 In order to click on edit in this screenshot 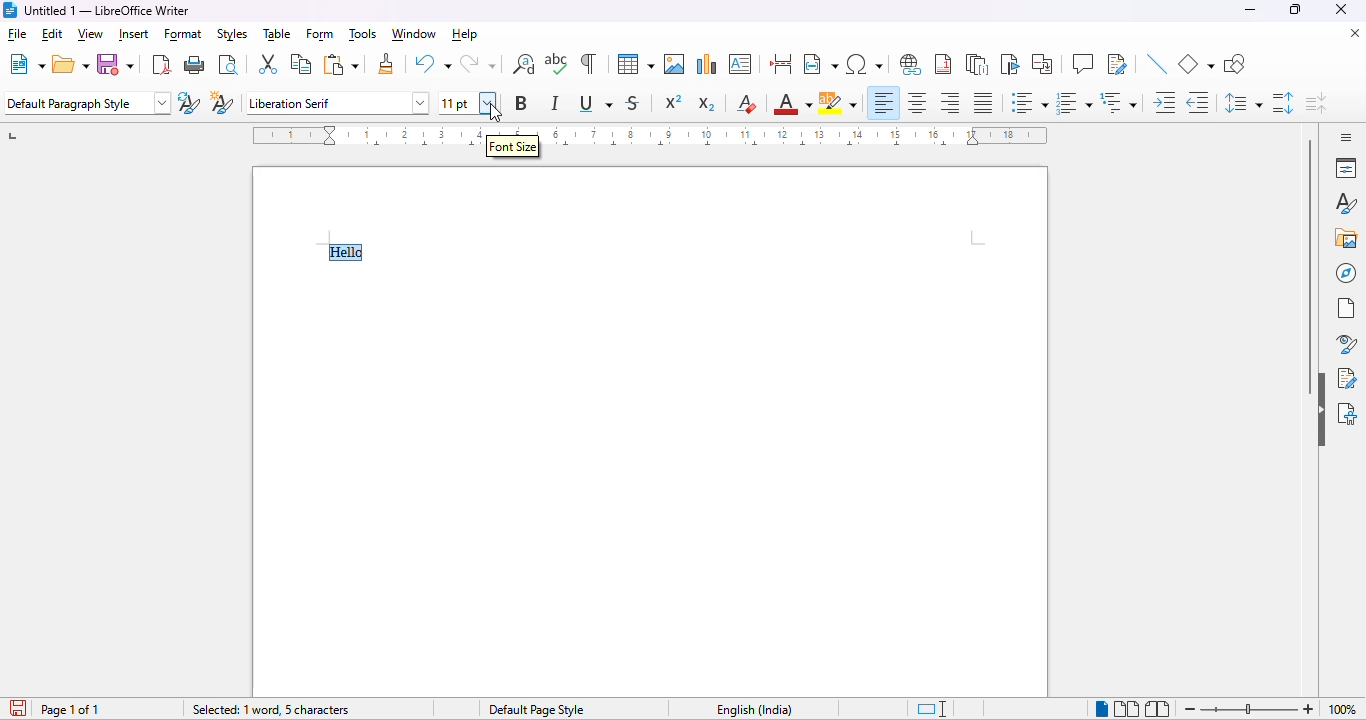, I will do `click(51, 34)`.